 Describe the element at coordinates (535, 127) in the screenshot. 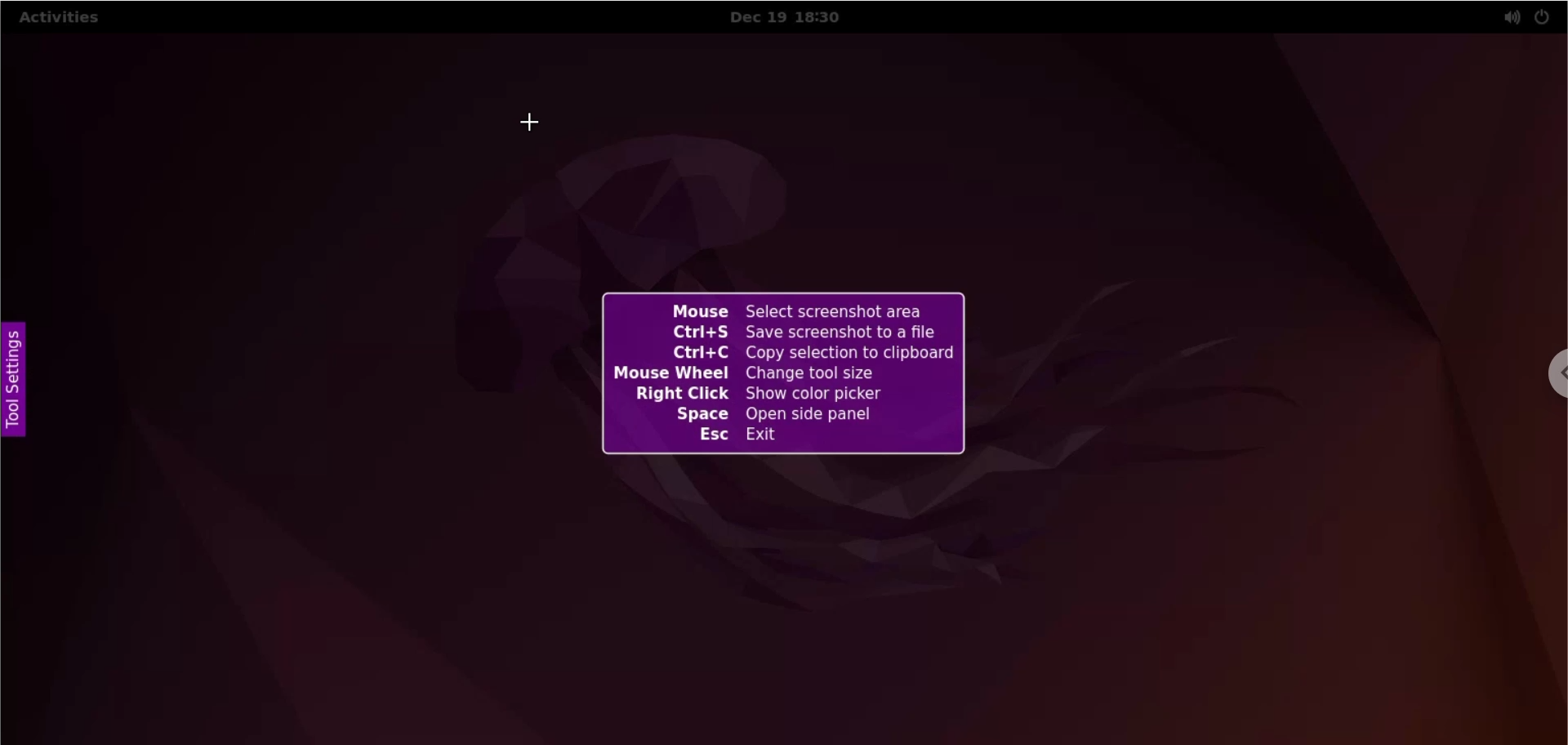

I see `cursor` at that location.